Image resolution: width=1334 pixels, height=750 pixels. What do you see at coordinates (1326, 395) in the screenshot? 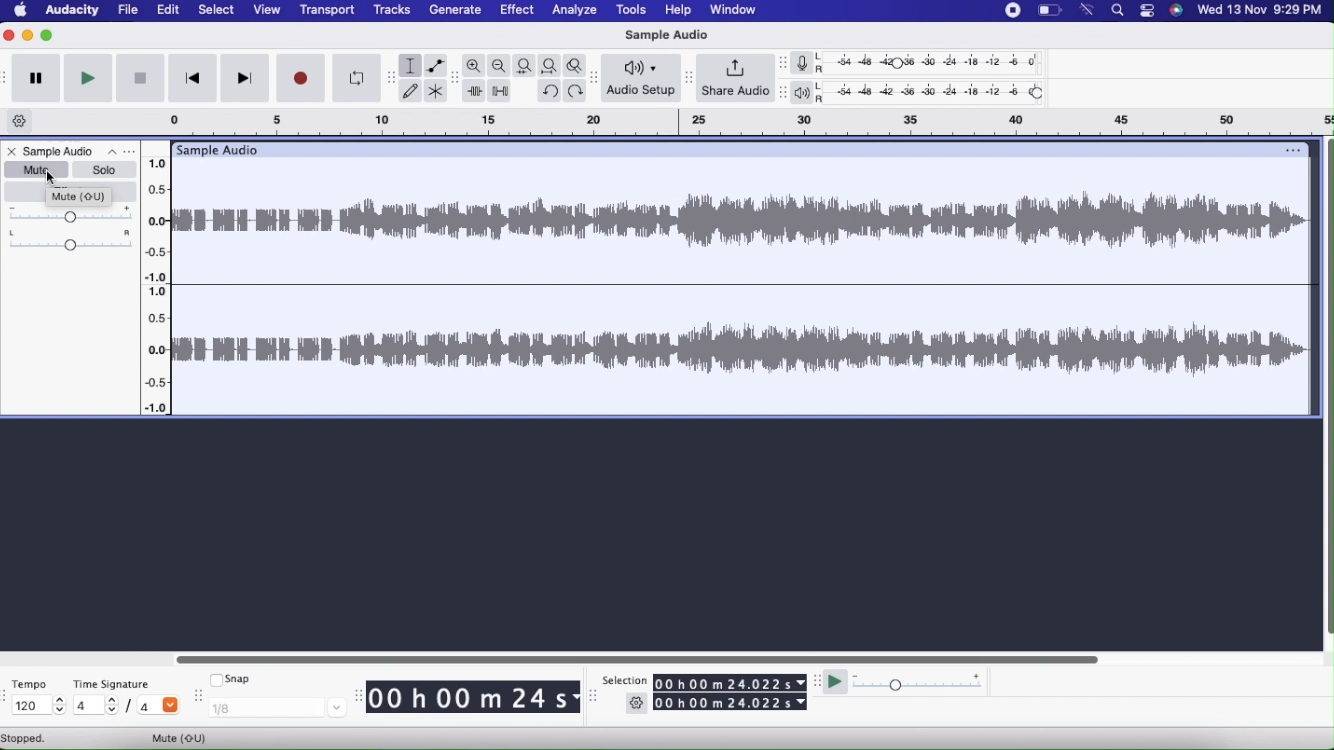
I see `vertical scrollbar` at bounding box center [1326, 395].